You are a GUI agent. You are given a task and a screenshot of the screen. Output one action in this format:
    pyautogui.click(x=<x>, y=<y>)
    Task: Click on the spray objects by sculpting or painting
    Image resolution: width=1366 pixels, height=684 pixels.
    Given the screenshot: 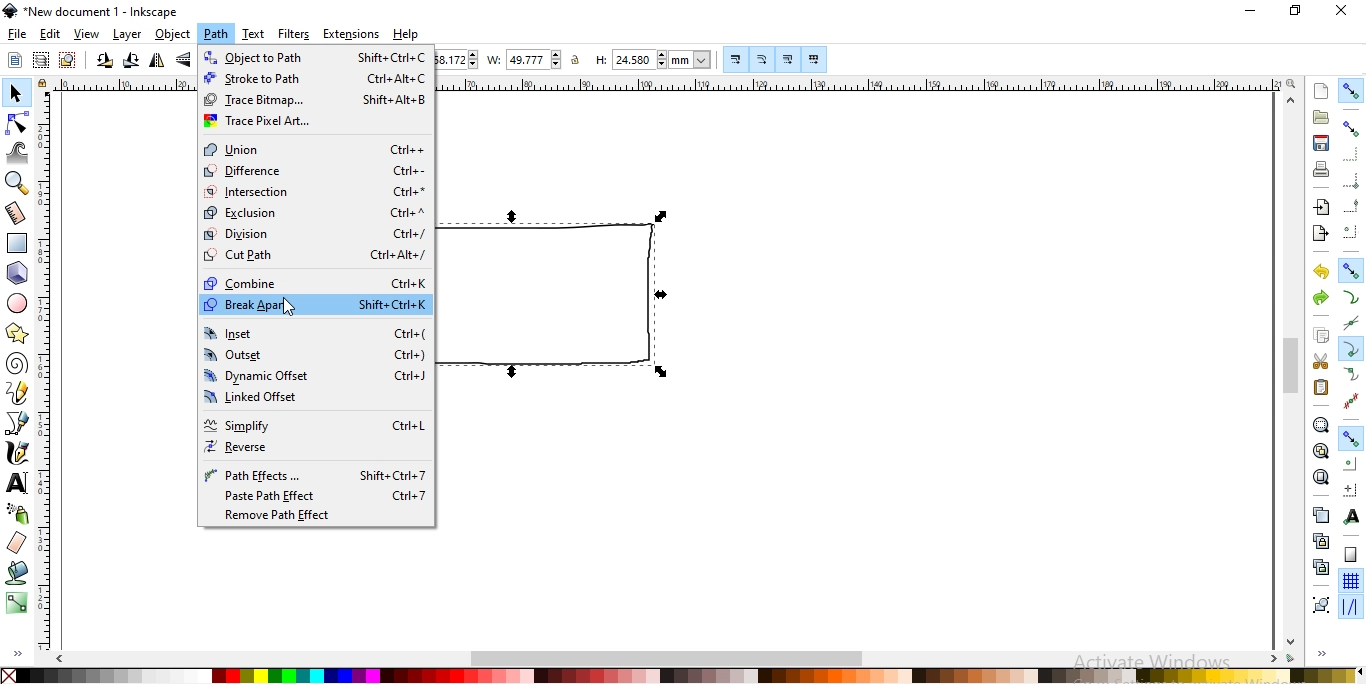 What is the action you would take?
    pyautogui.click(x=17, y=513)
    